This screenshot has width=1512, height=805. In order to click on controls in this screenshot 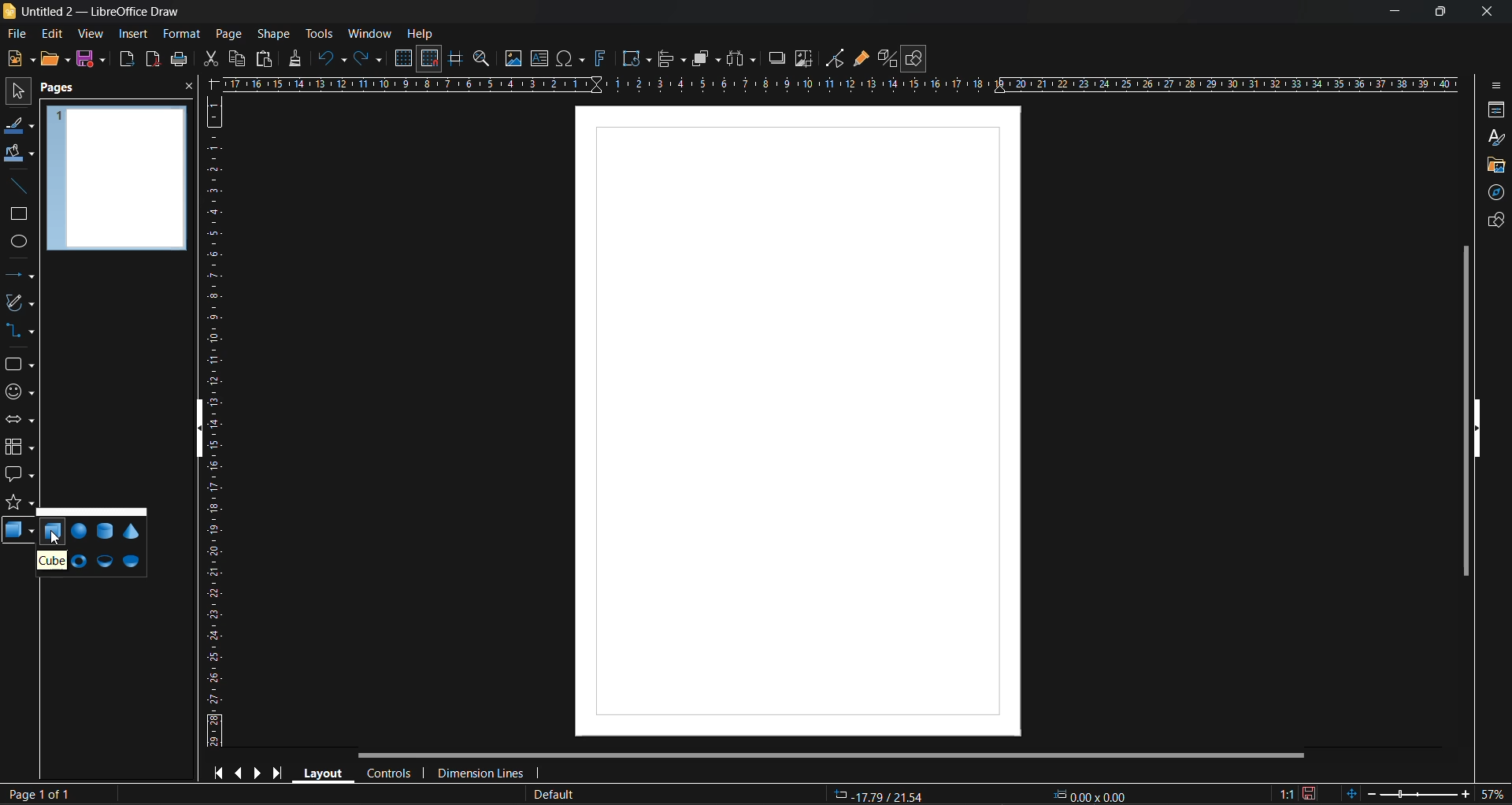, I will do `click(392, 773)`.